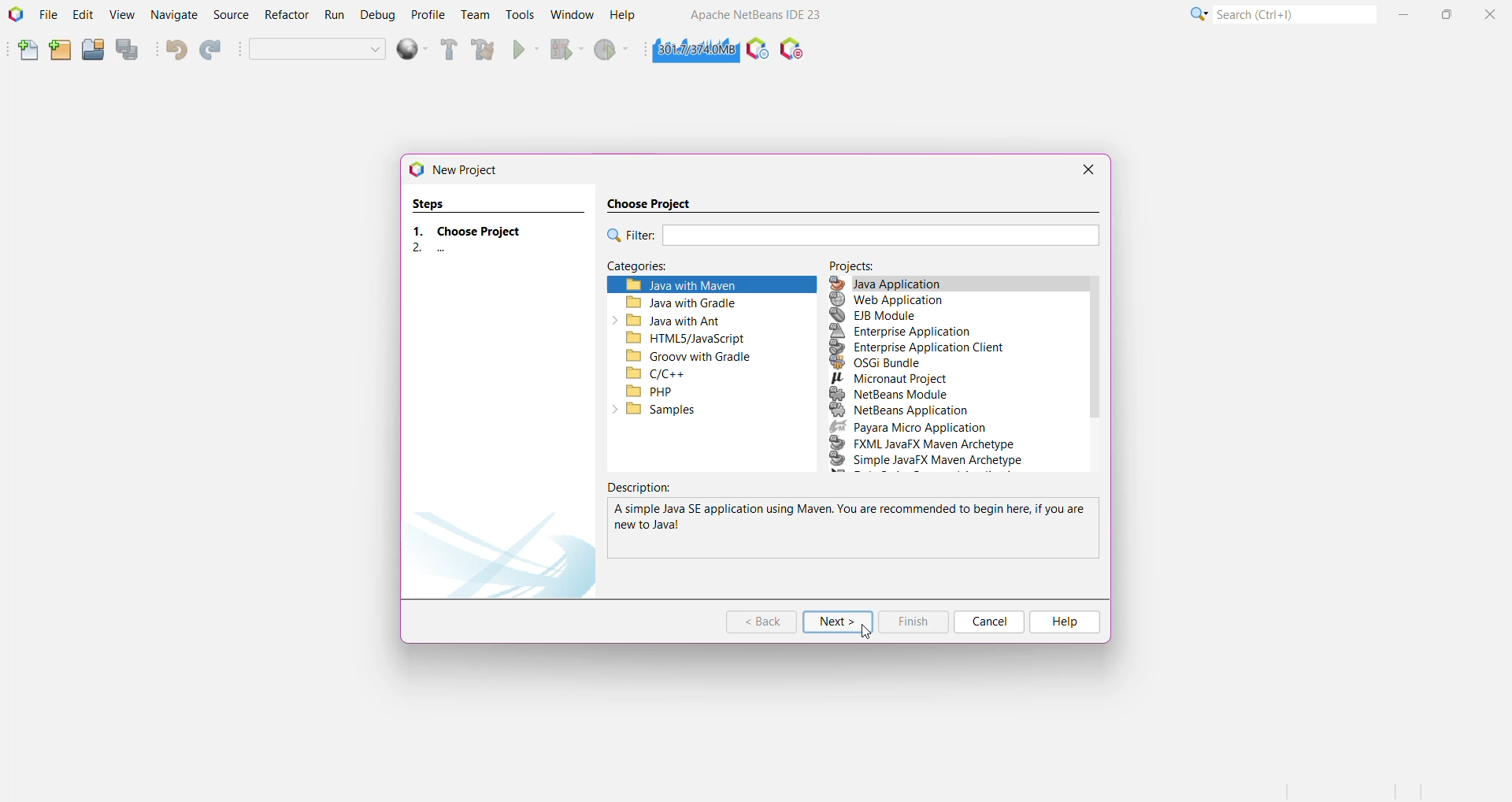 This screenshot has height=802, width=1512. What do you see at coordinates (839, 622) in the screenshot?
I see `Next` at bounding box center [839, 622].